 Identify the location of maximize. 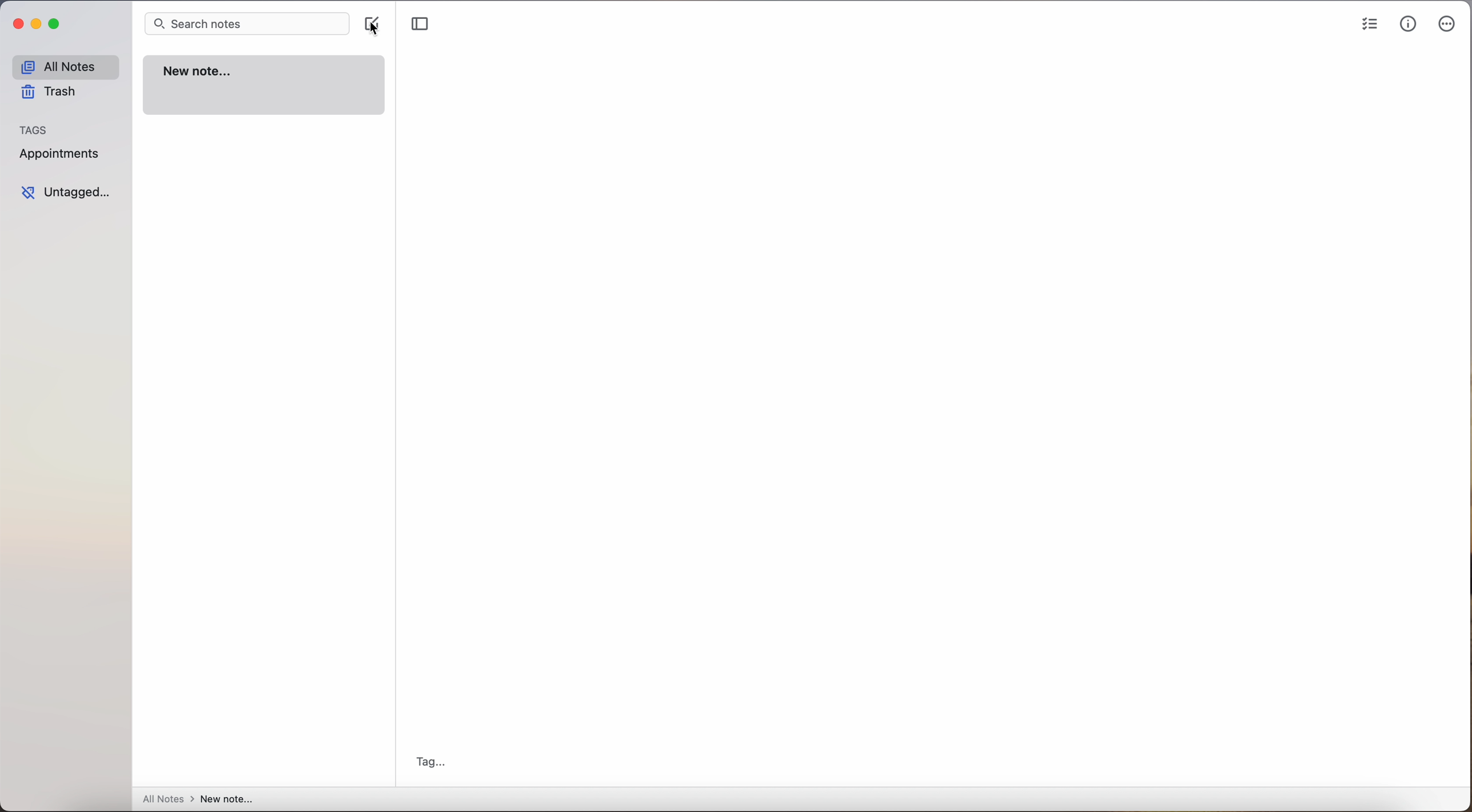
(56, 23).